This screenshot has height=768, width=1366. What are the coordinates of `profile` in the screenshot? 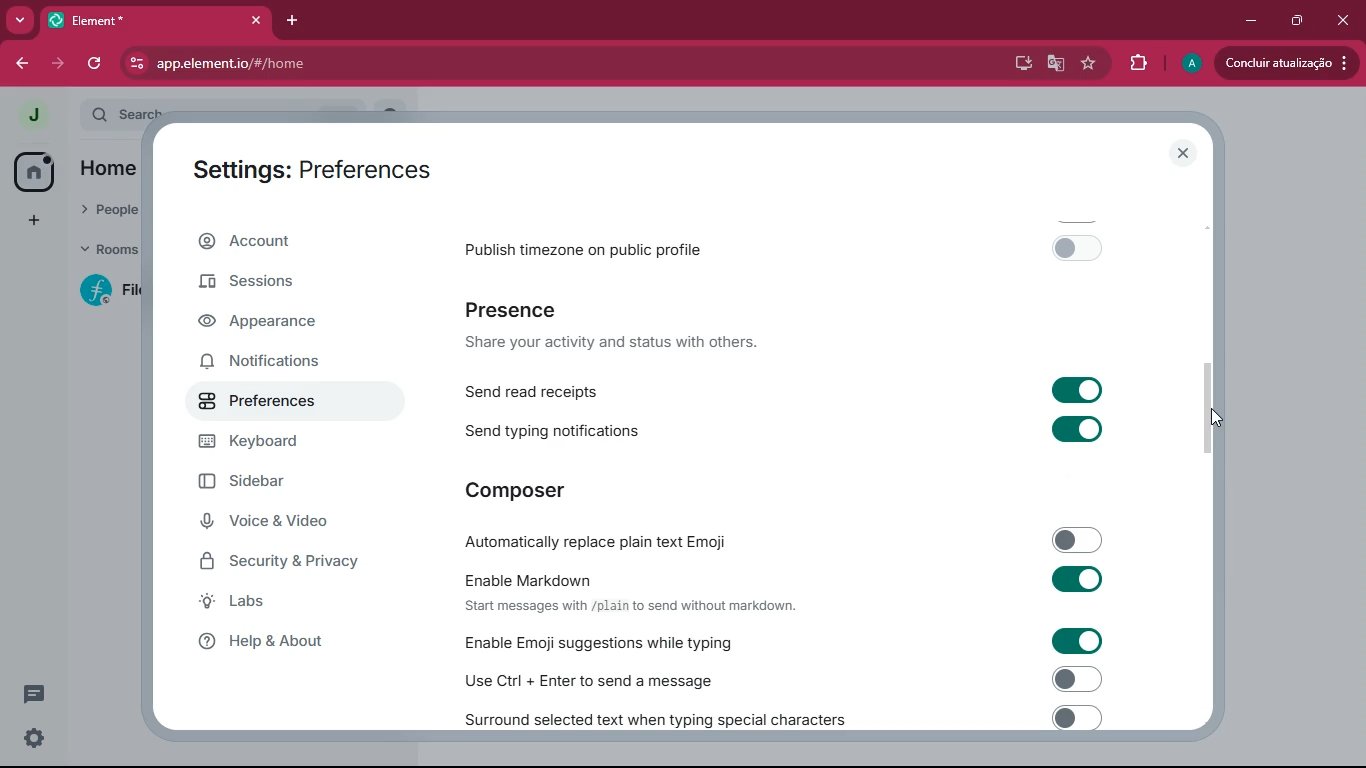 It's located at (31, 113).